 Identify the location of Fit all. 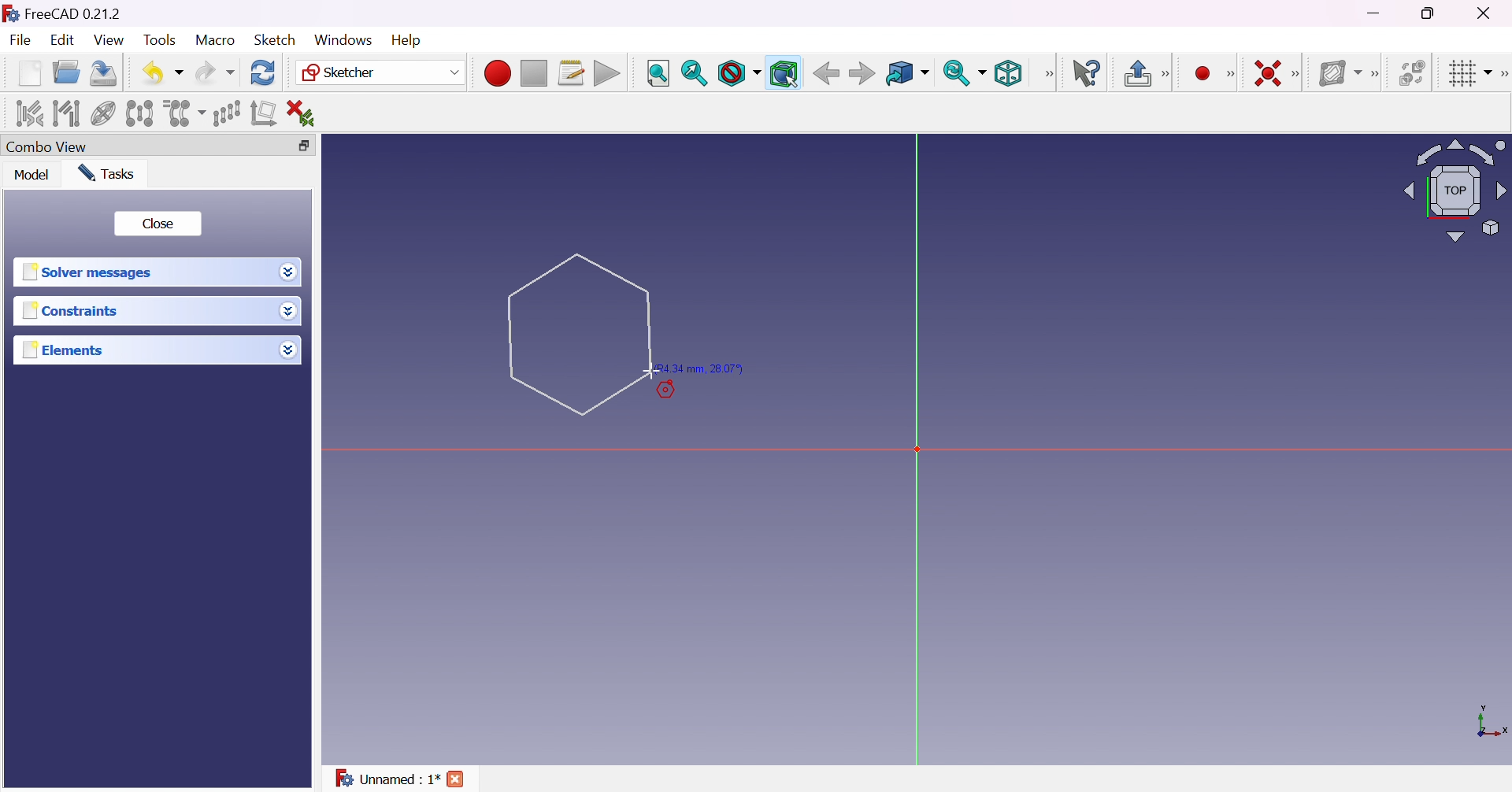
(659, 74).